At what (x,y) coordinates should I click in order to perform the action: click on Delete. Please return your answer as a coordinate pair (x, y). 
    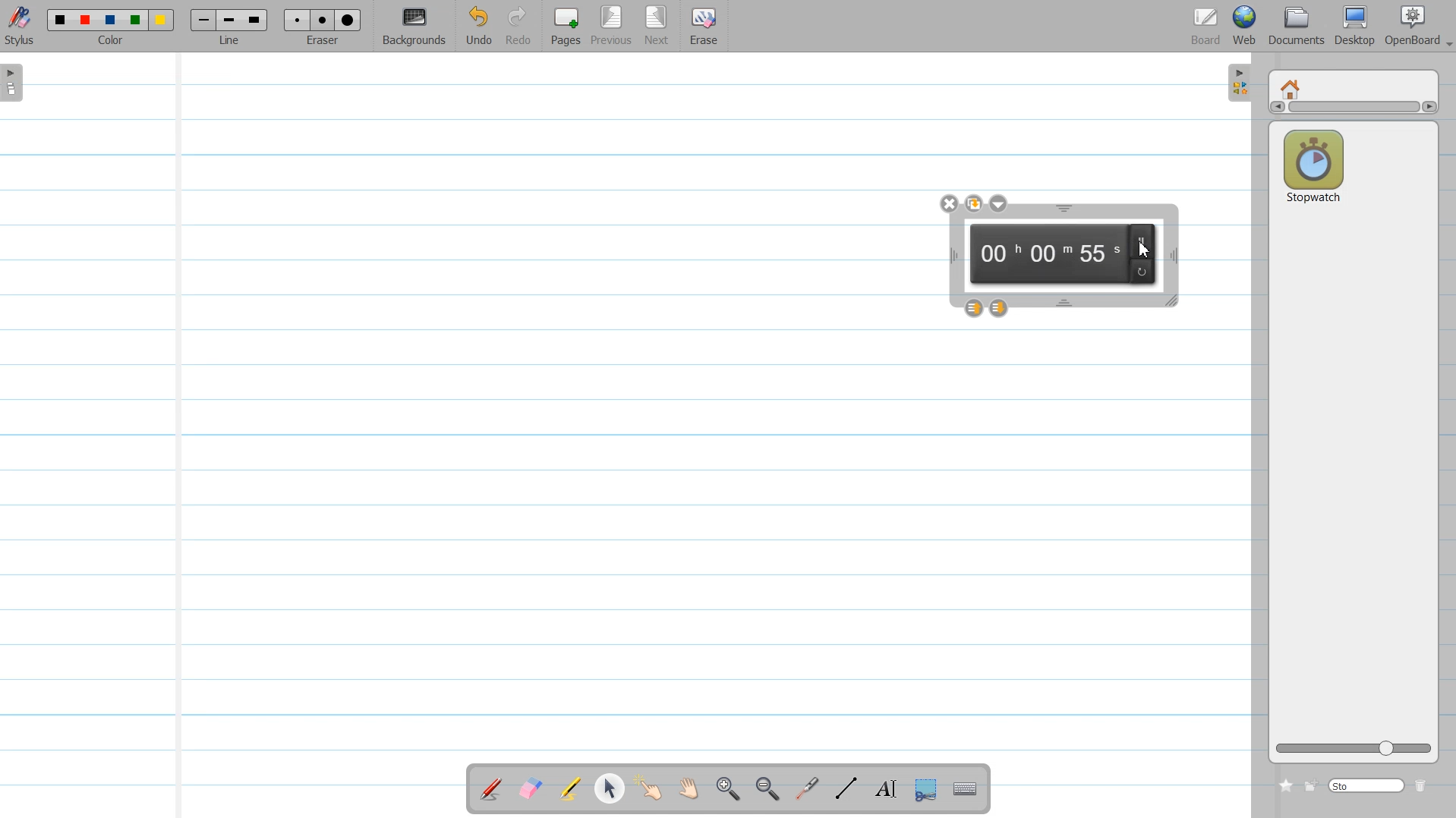
    Looking at the image, I should click on (1424, 785).